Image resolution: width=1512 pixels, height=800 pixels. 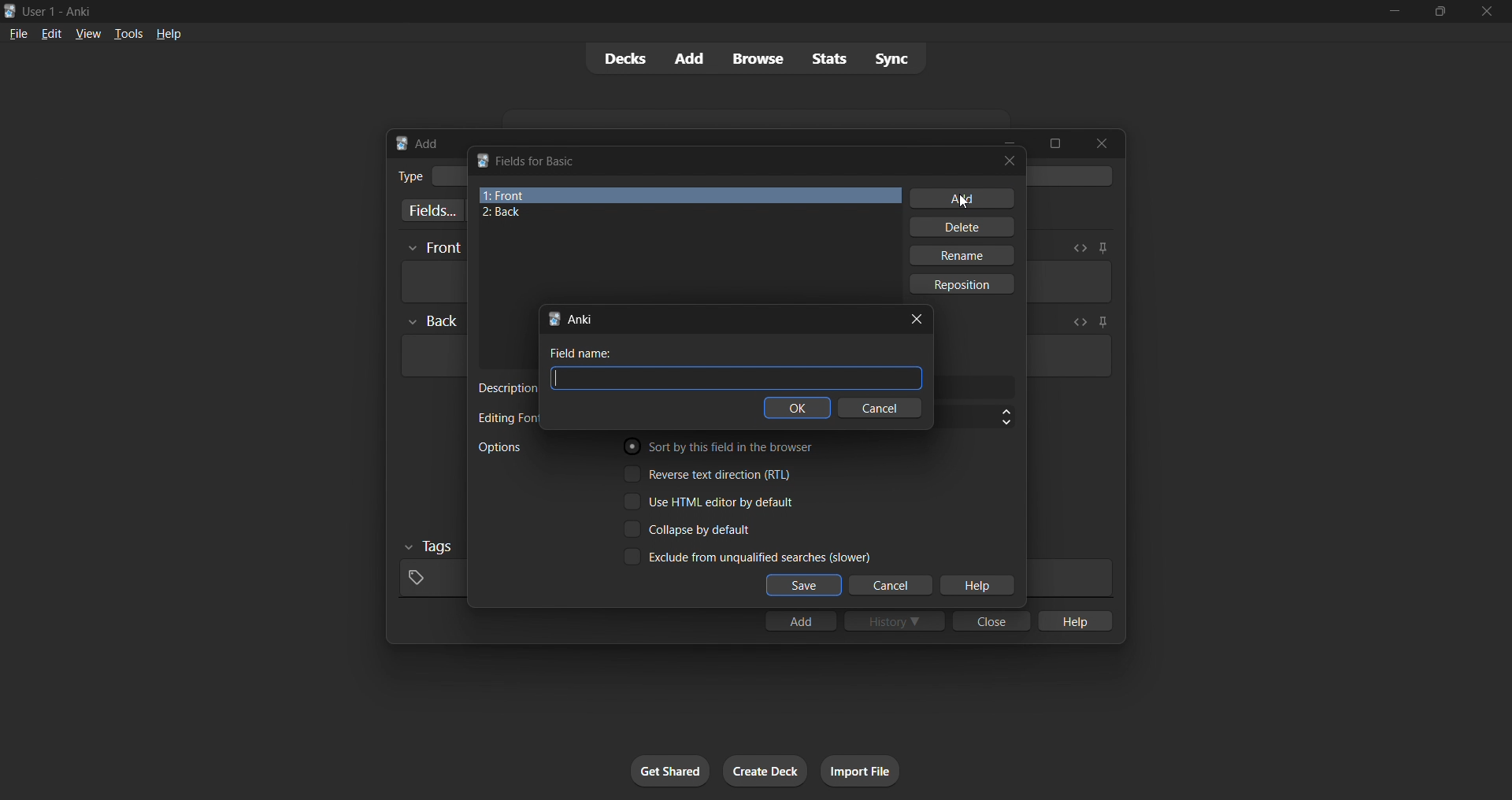 What do you see at coordinates (623, 59) in the screenshot?
I see `decks` at bounding box center [623, 59].